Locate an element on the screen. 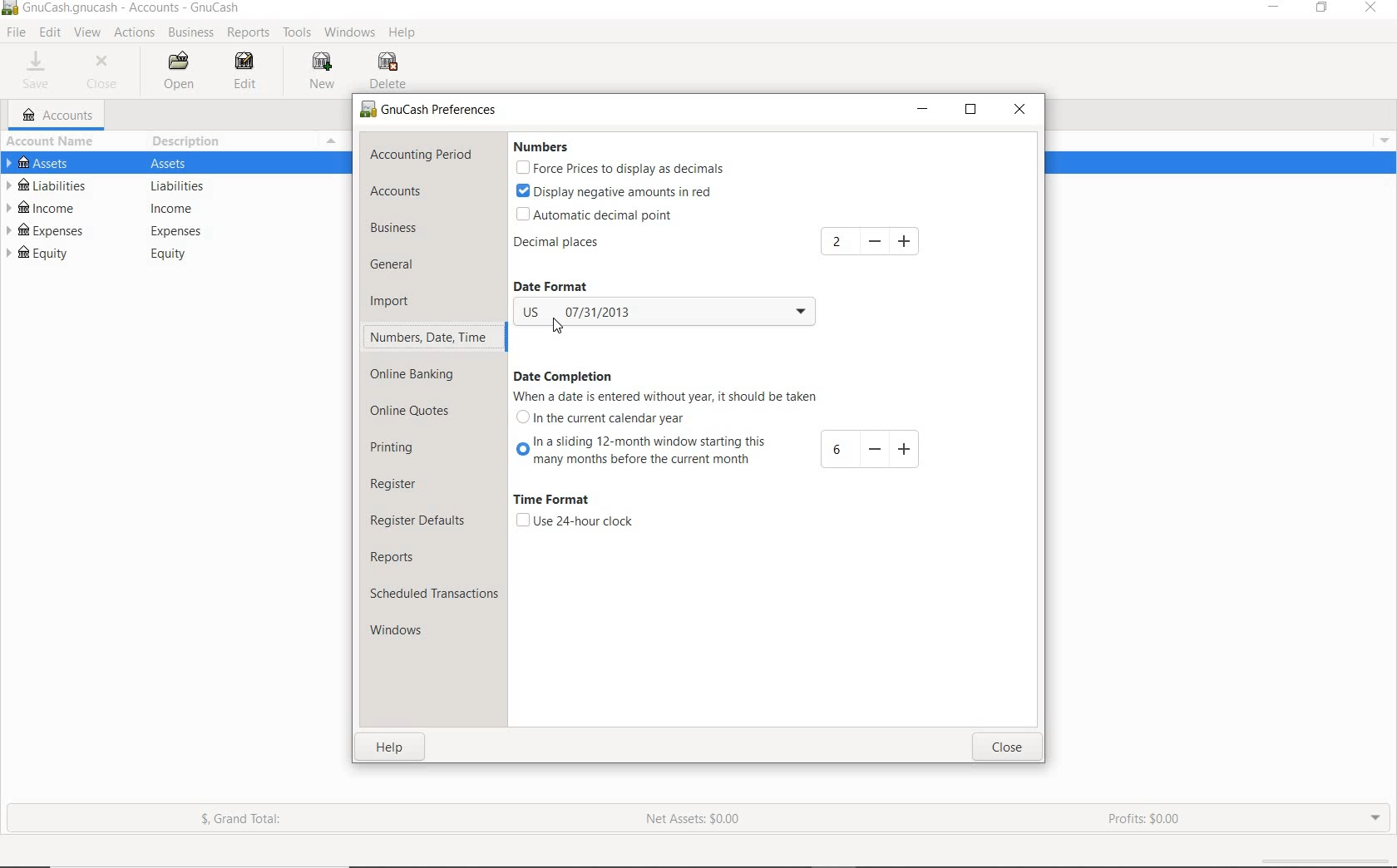 This screenshot has width=1397, height=868. force prices to display as decimals is located at coordinates (620, 170).